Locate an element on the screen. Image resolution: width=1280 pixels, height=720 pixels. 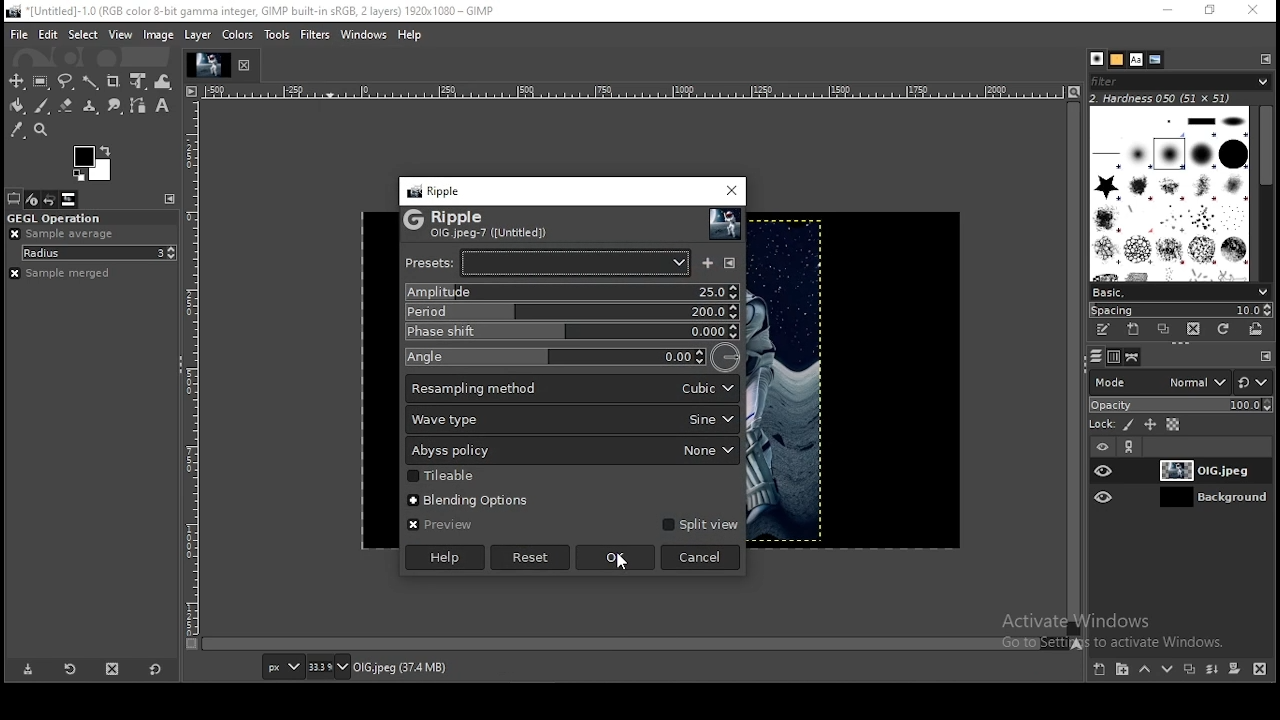
add a mask that allows non-destructive editing of transperancy is located at coordinates (1236, 669).